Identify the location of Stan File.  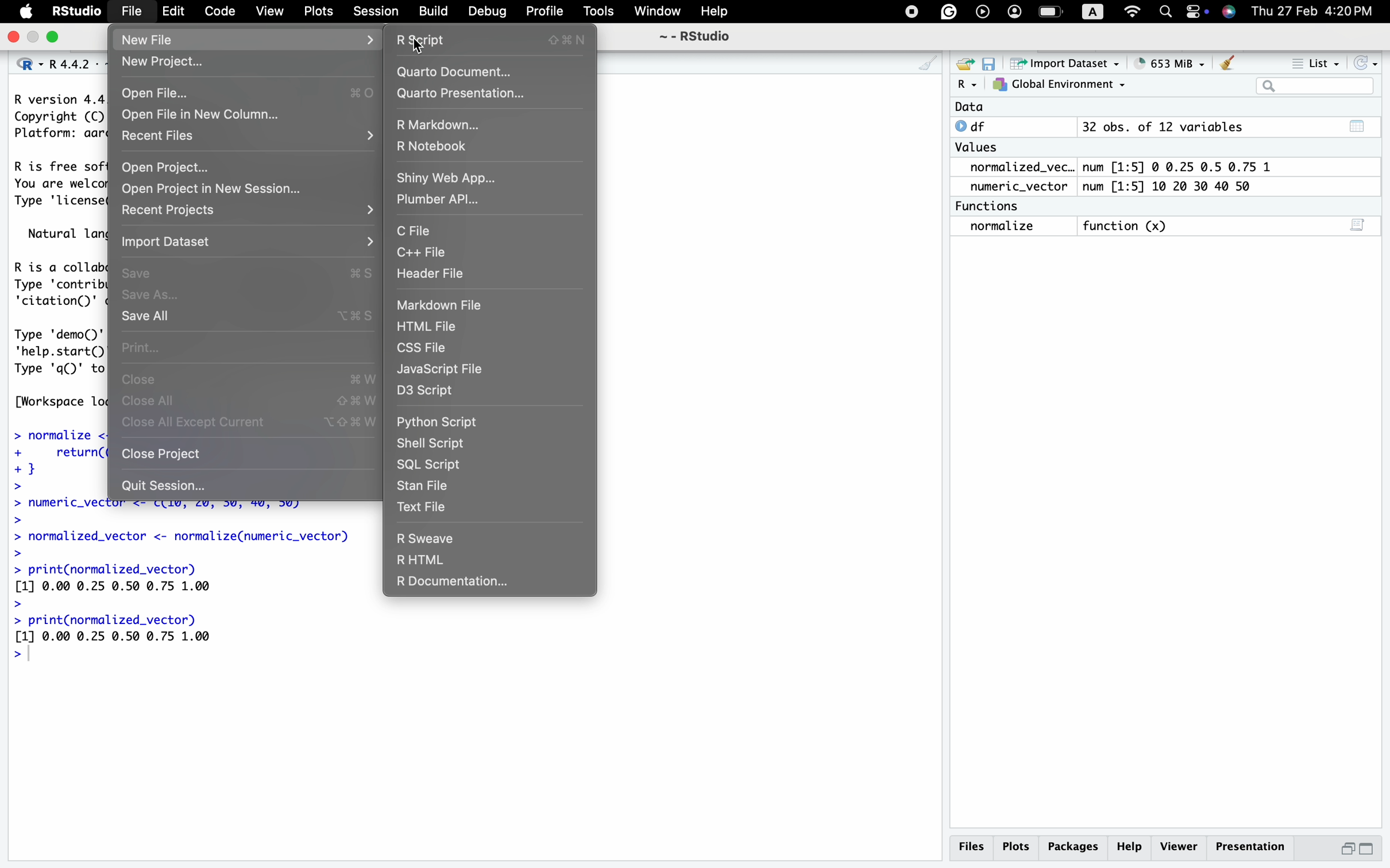
(426, 486).